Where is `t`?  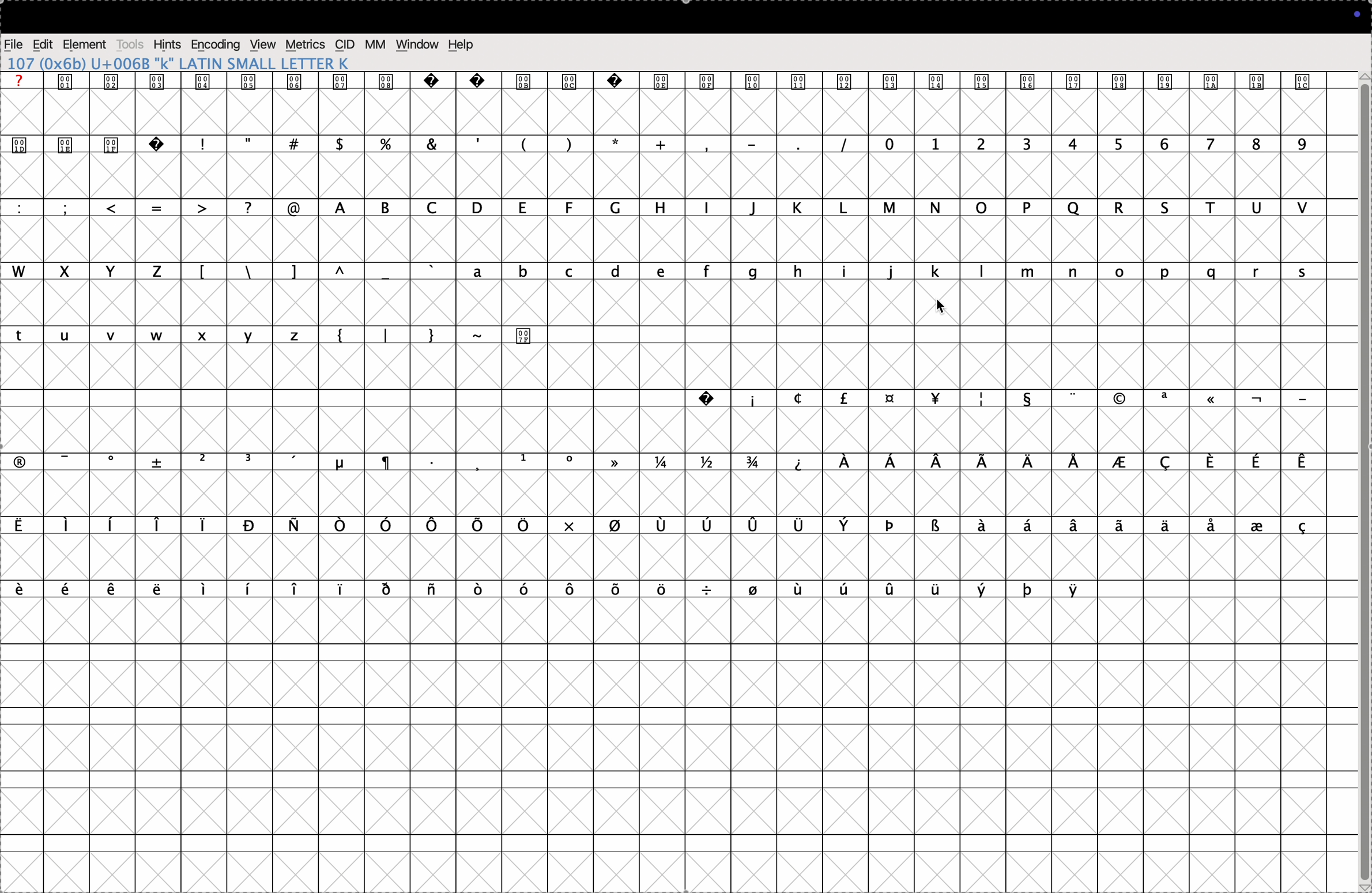 t is located at coordinates (22, 337).